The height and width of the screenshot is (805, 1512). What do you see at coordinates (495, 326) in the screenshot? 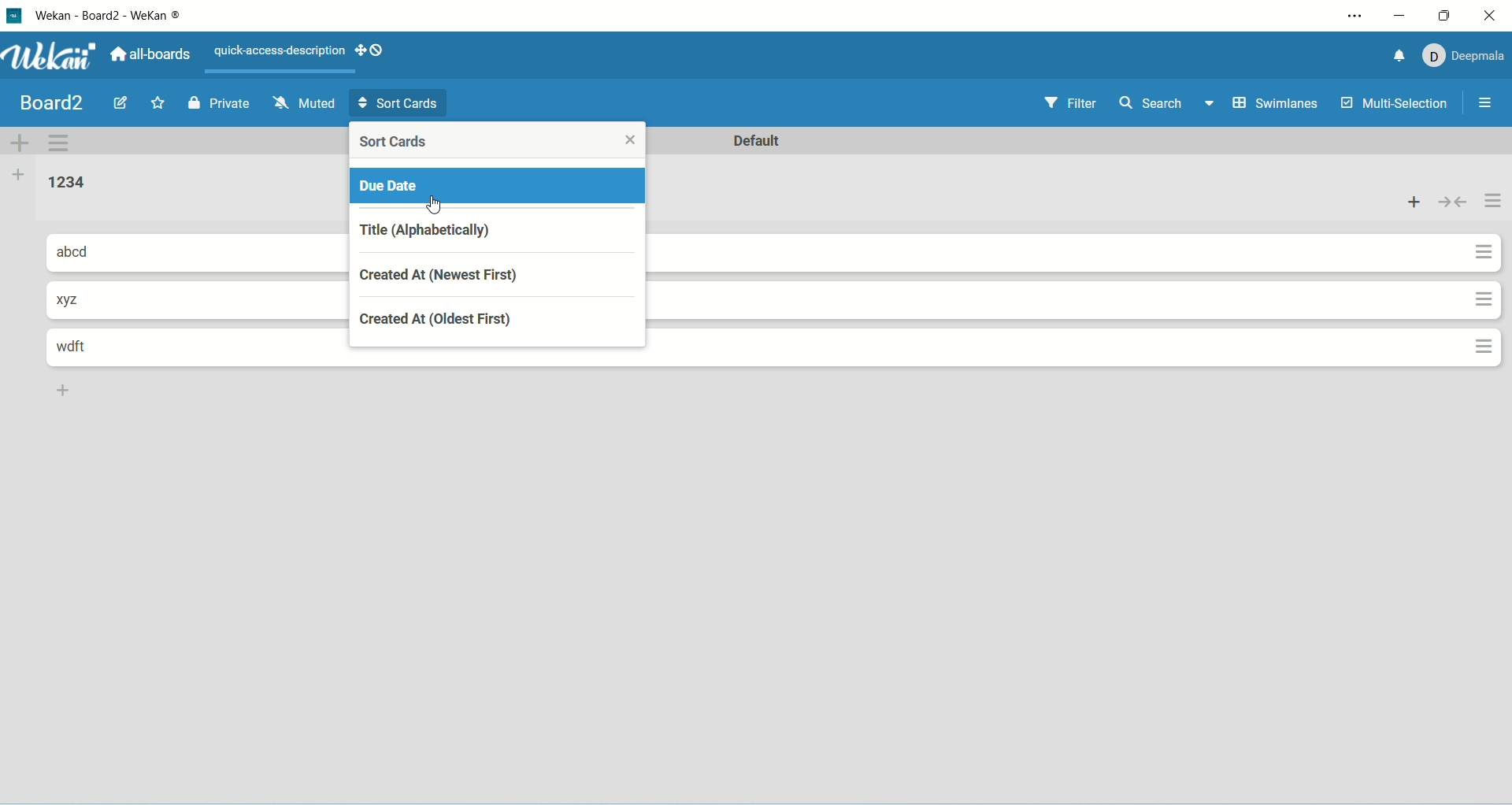
I see `created at` at bounding box center [495, 326].